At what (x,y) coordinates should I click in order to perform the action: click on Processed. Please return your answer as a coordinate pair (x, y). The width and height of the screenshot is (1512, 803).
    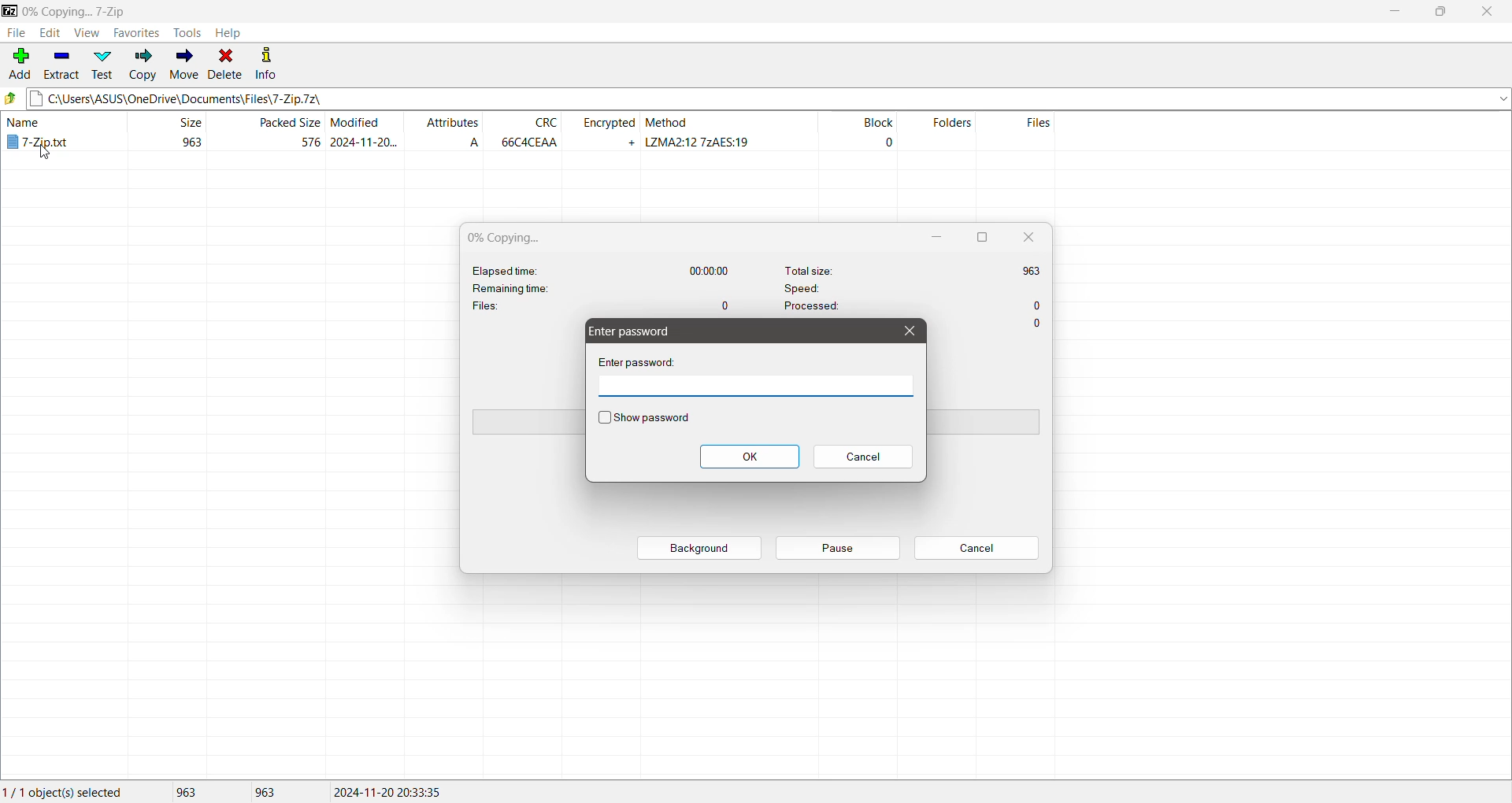
    Looking at the image, I should click on (913, 309).